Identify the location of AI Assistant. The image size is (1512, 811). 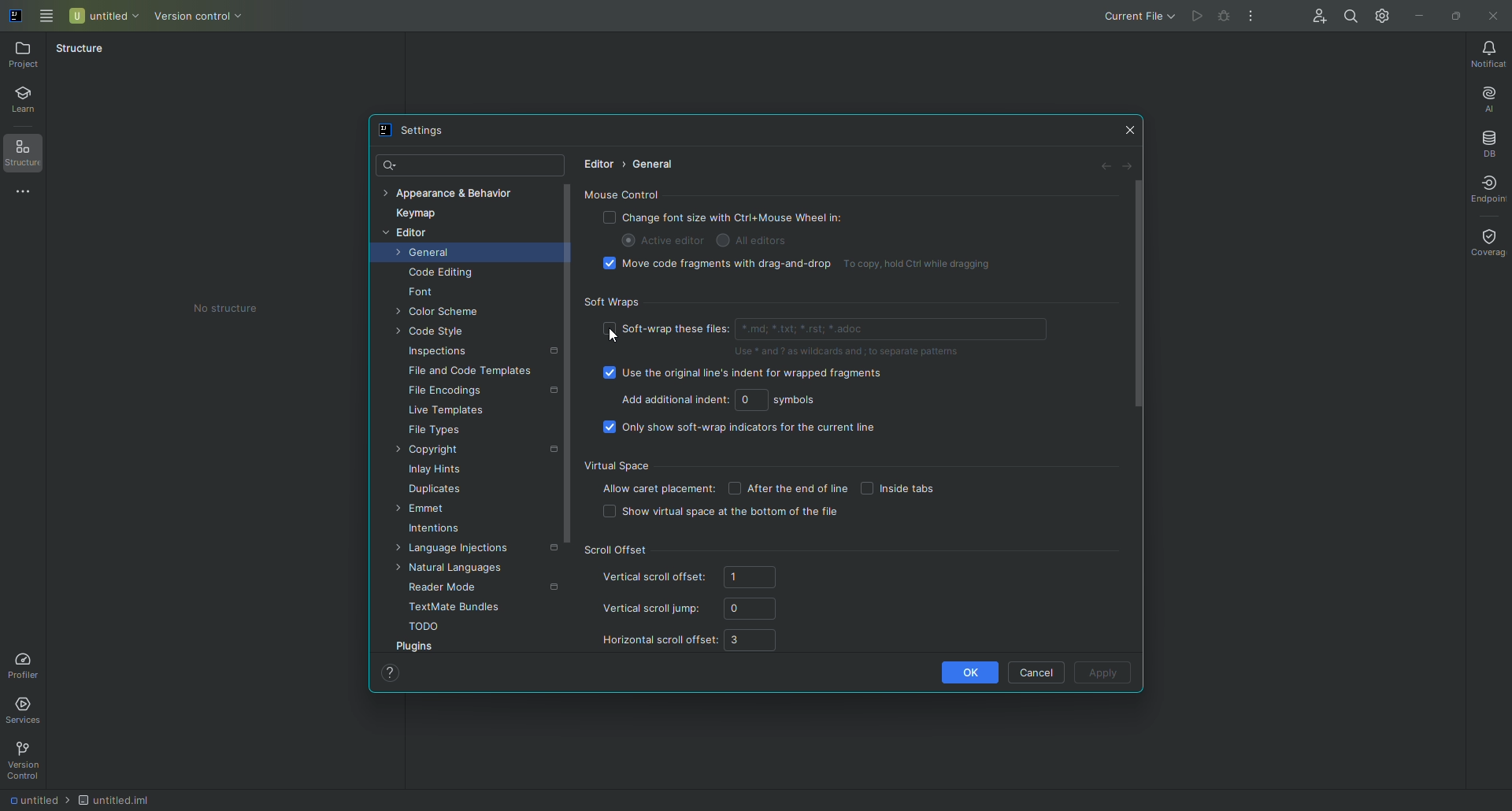
(1489, 98).